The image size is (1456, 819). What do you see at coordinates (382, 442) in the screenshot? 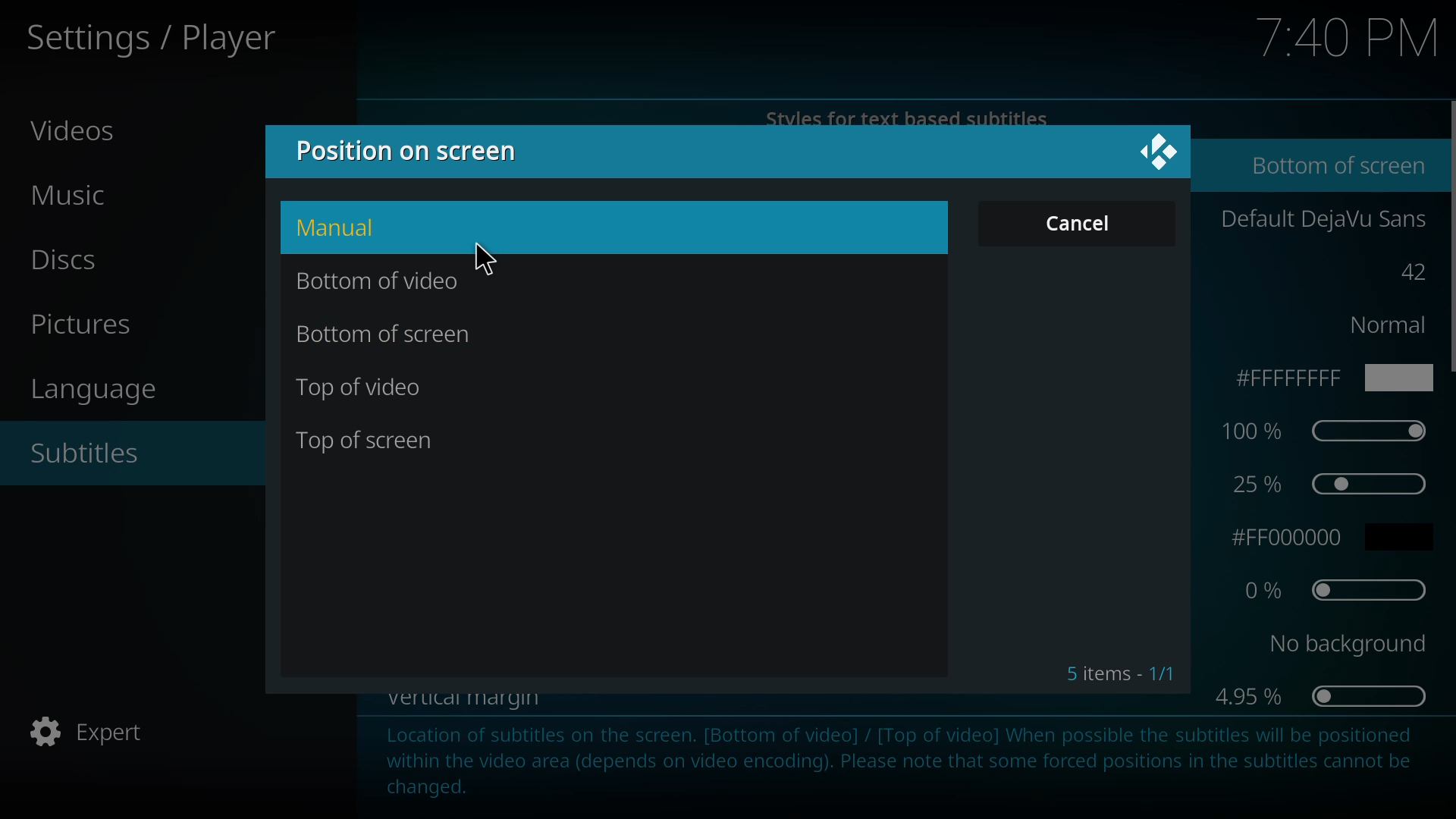
I see `top of screen` at bounding box center [382, 442].